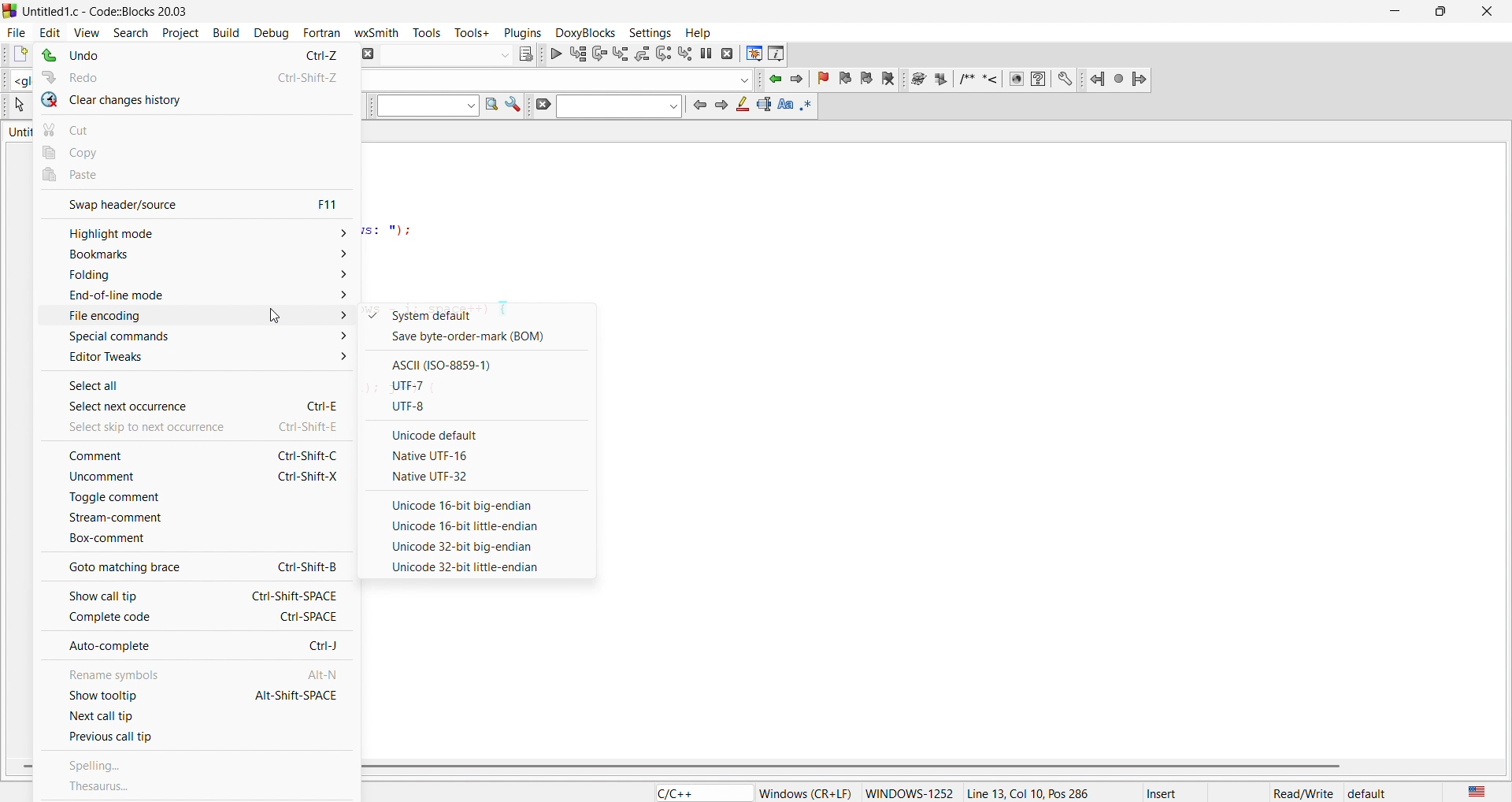  What do you see at coordinates (194, 176) in the screenshot?
I see `paste` at bounding box center [194, 176].